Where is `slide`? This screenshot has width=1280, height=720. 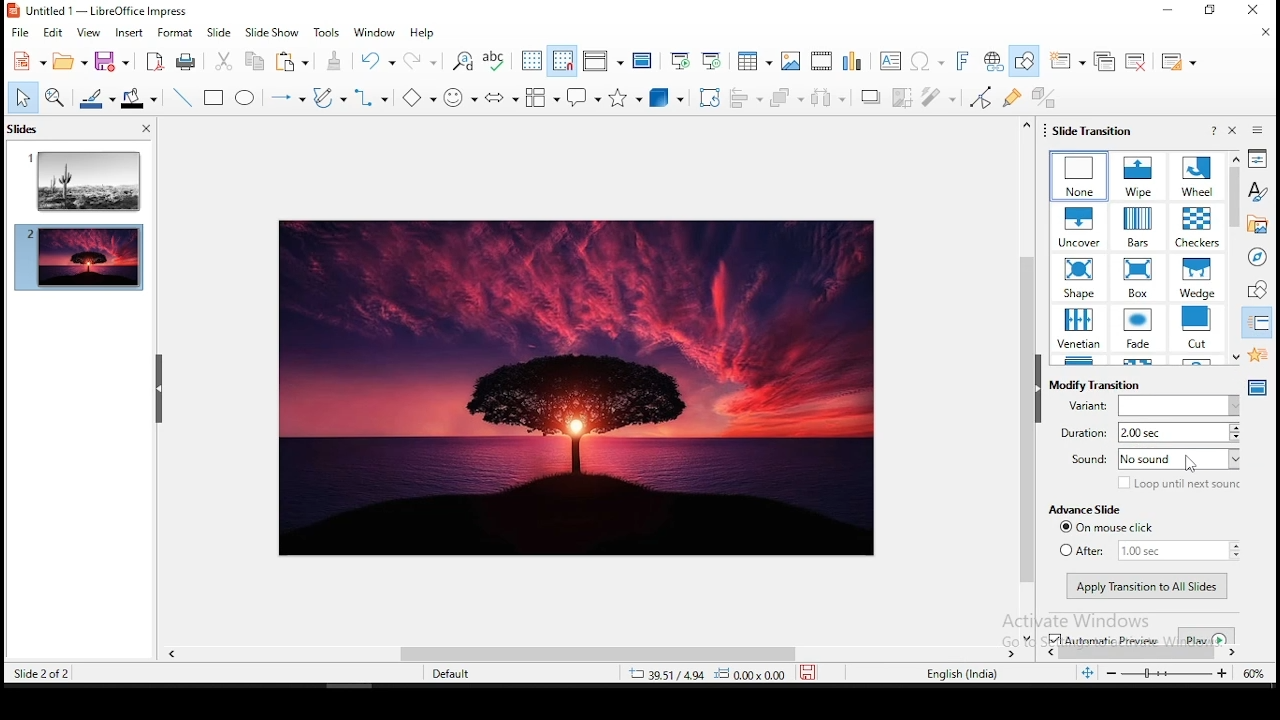 slide is located at coordinates (219, 33).